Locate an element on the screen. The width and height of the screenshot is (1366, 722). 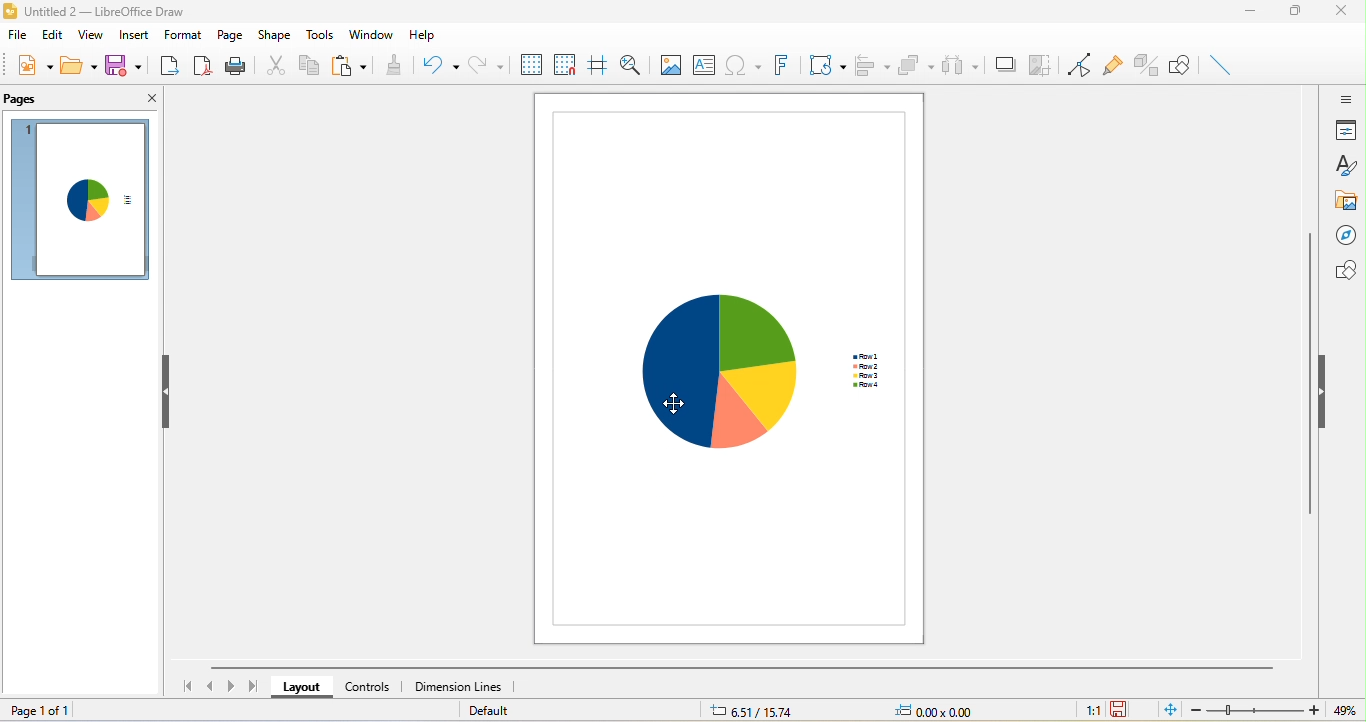
layout is located at coordinates (301, 686).